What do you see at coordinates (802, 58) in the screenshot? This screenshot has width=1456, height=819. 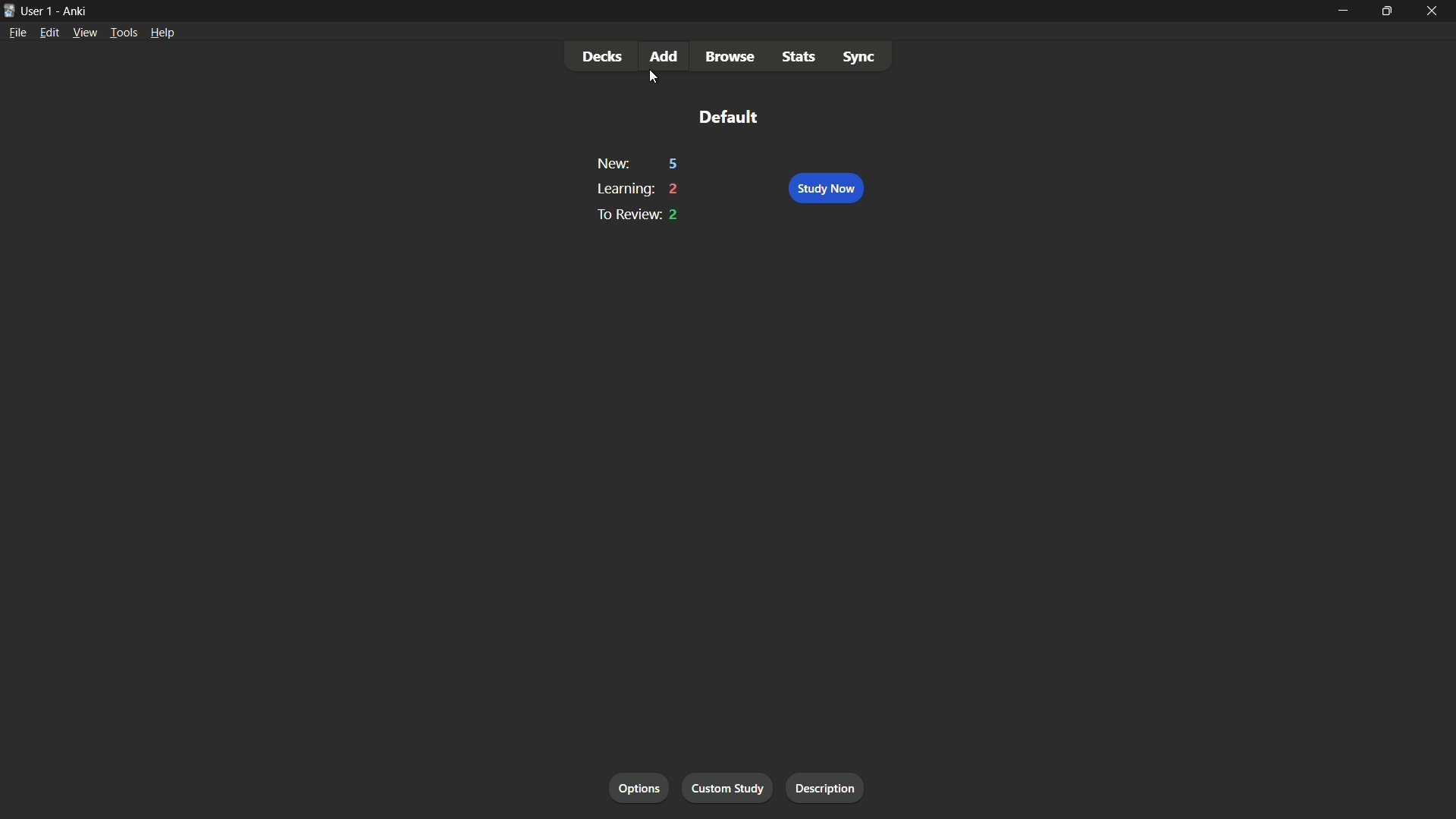 I see `stats` at bounding box center [802, 58].